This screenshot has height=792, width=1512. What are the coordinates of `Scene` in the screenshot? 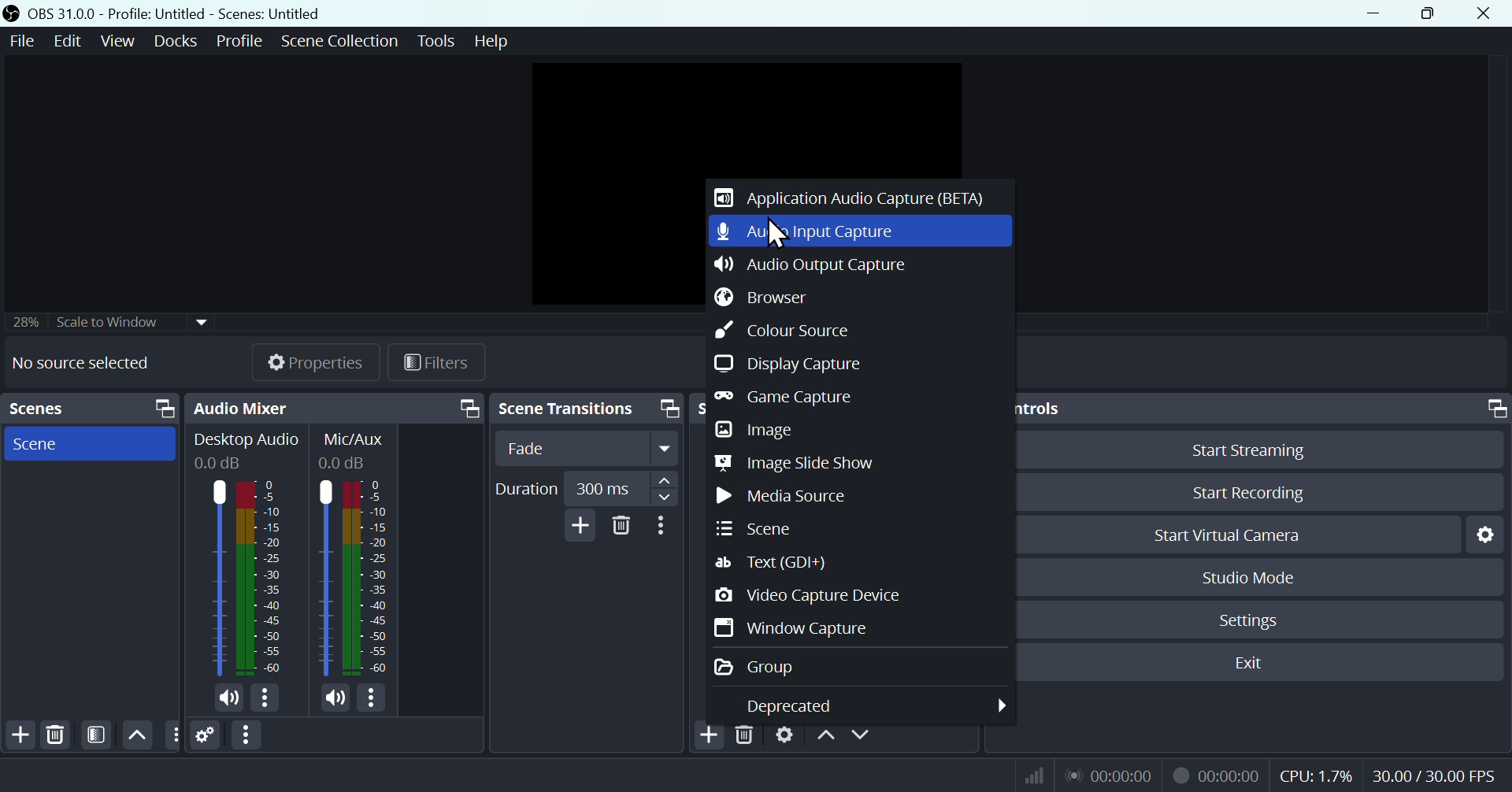 It's located at (86, 442).